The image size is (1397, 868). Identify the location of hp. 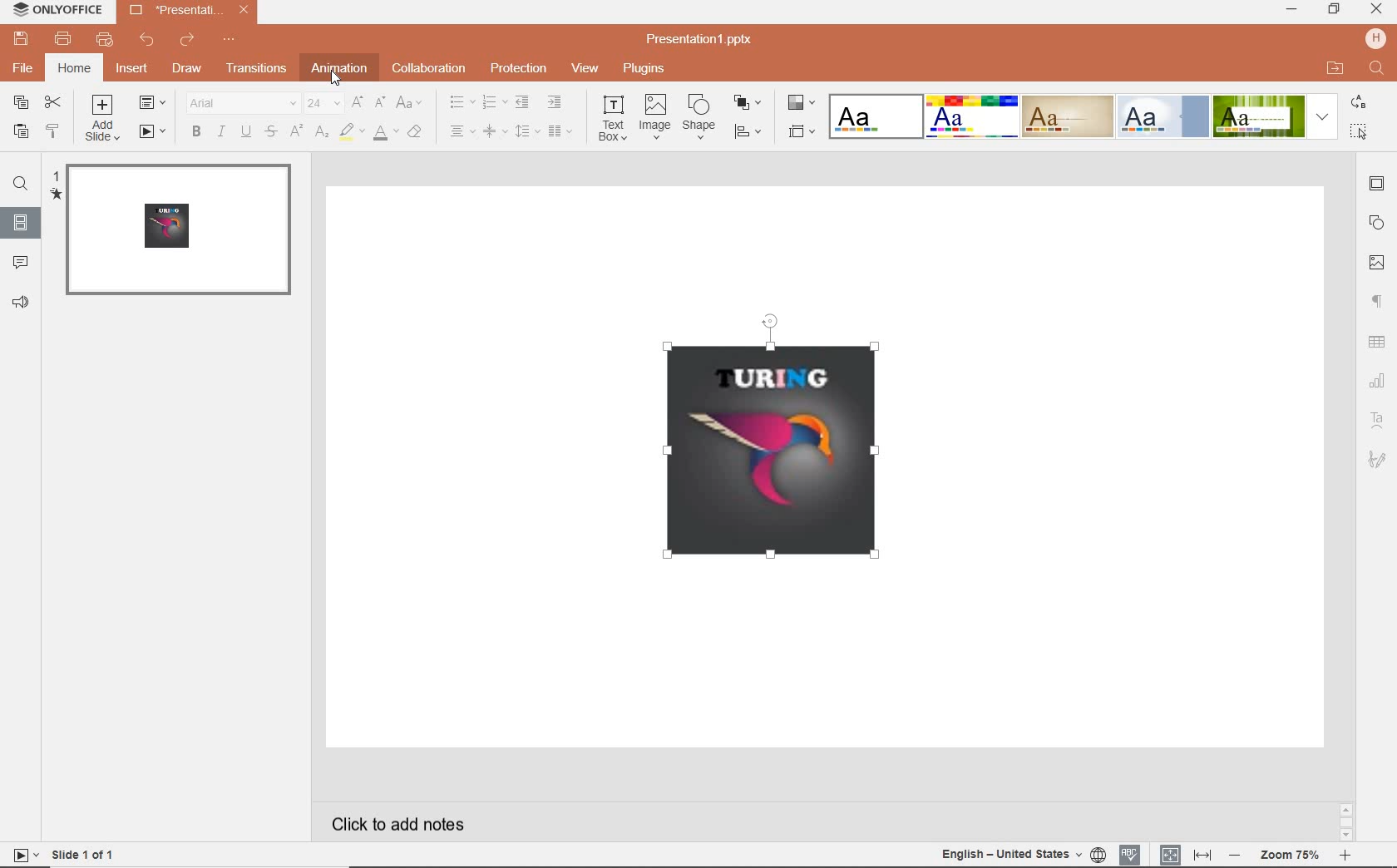
(1376, 38).